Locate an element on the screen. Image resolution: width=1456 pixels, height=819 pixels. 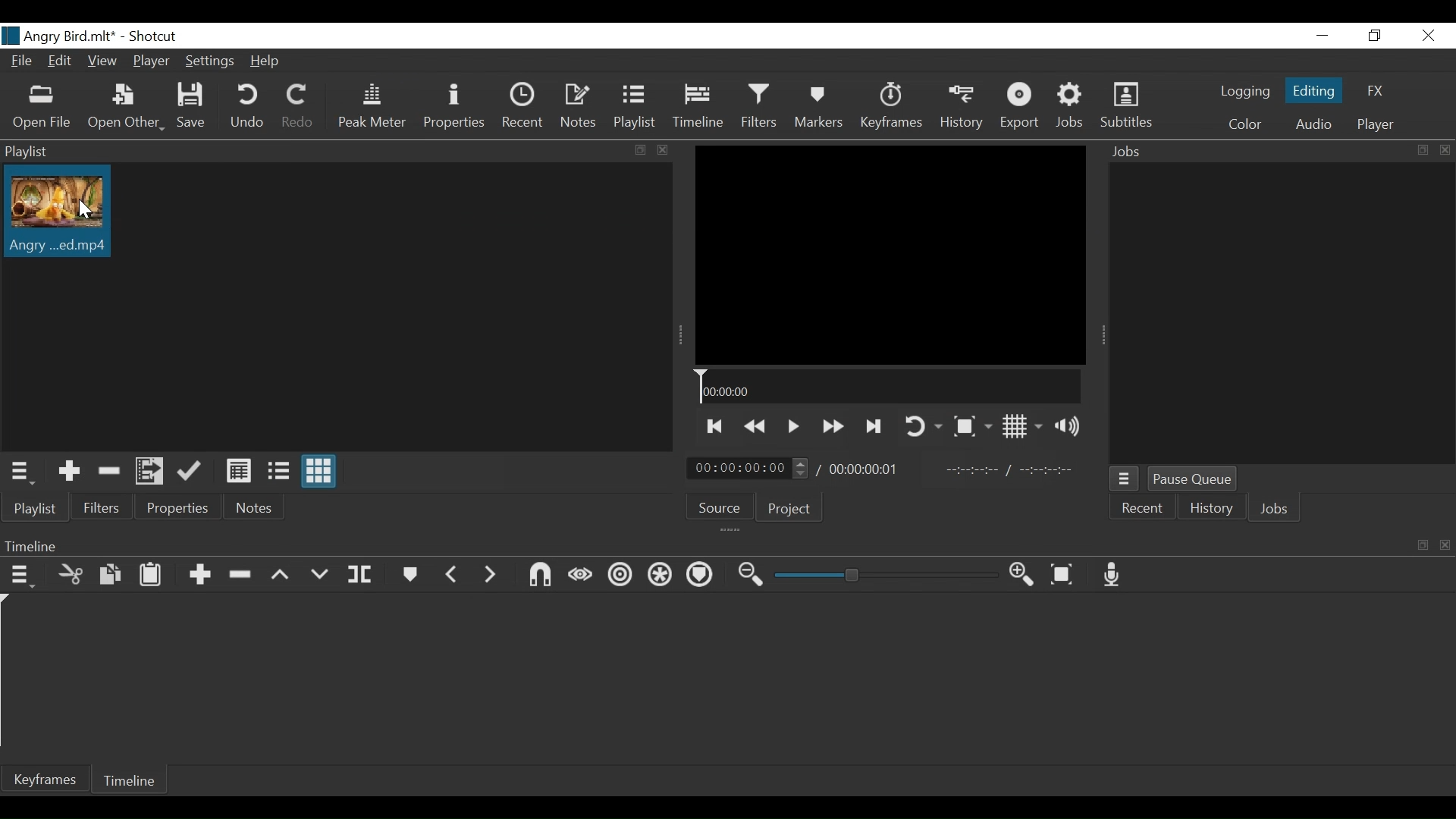
Toggle player looping is located at coordinates (923, 427).